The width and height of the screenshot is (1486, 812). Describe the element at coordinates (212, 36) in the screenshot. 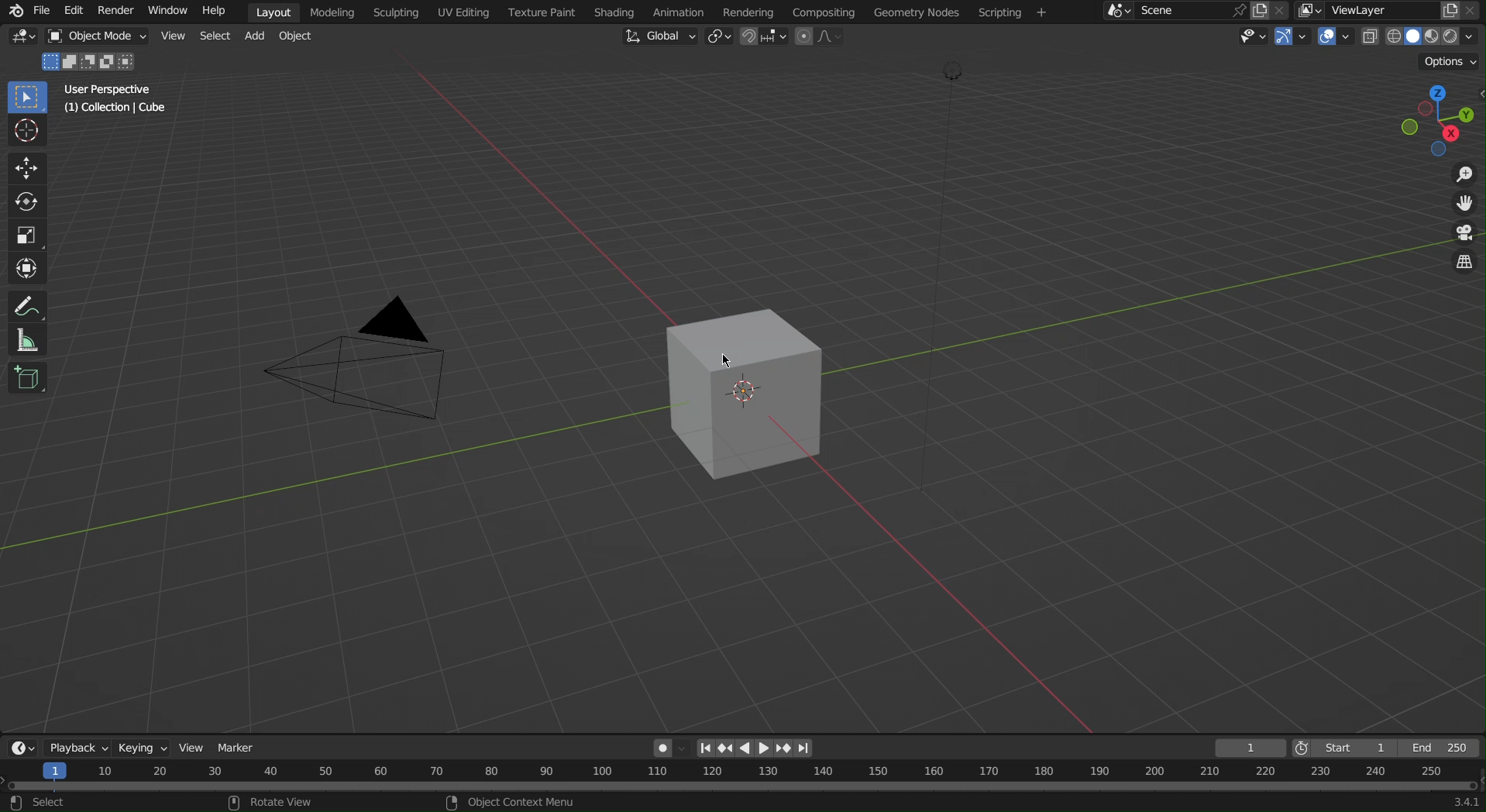

I see `Select` at that location.